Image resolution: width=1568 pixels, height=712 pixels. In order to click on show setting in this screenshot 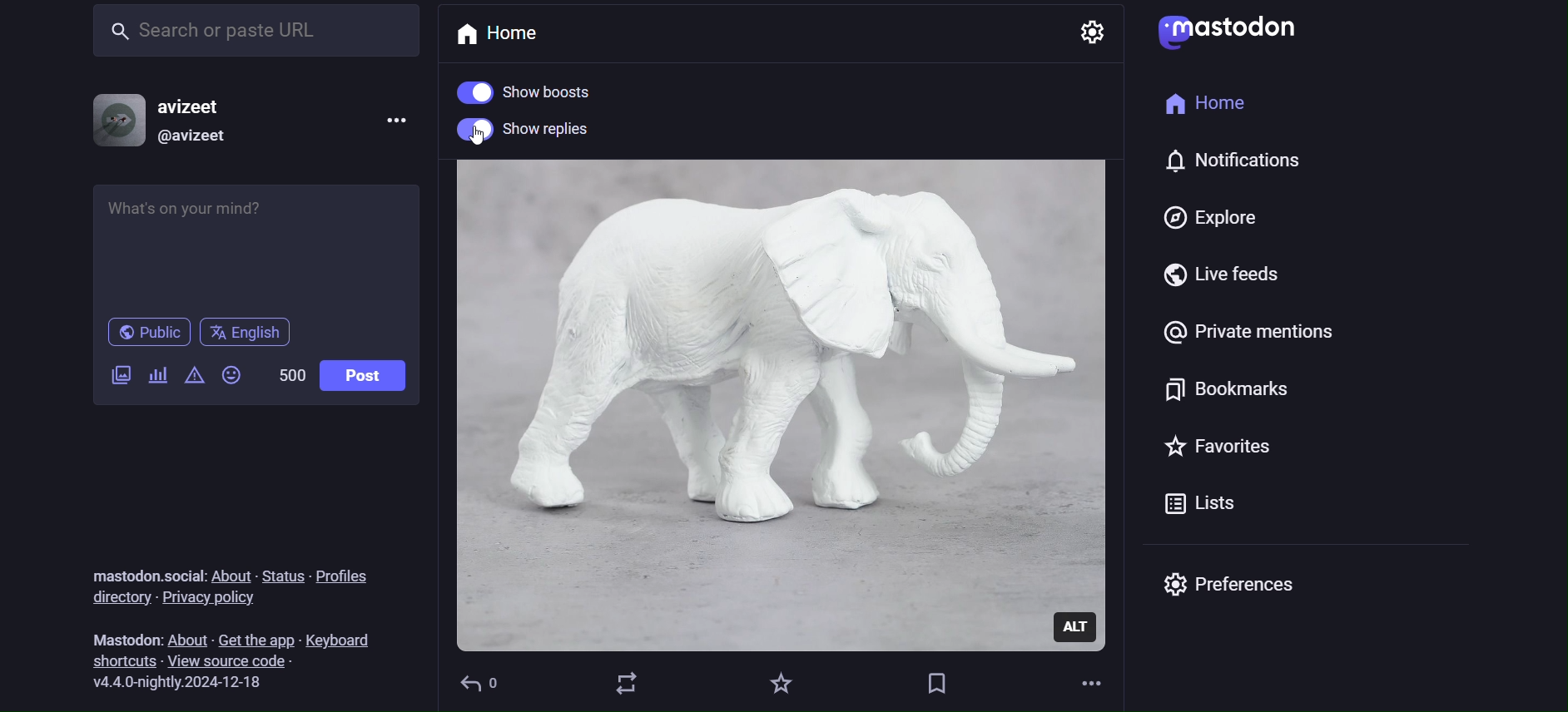, I will do `click(1095, 33)`.